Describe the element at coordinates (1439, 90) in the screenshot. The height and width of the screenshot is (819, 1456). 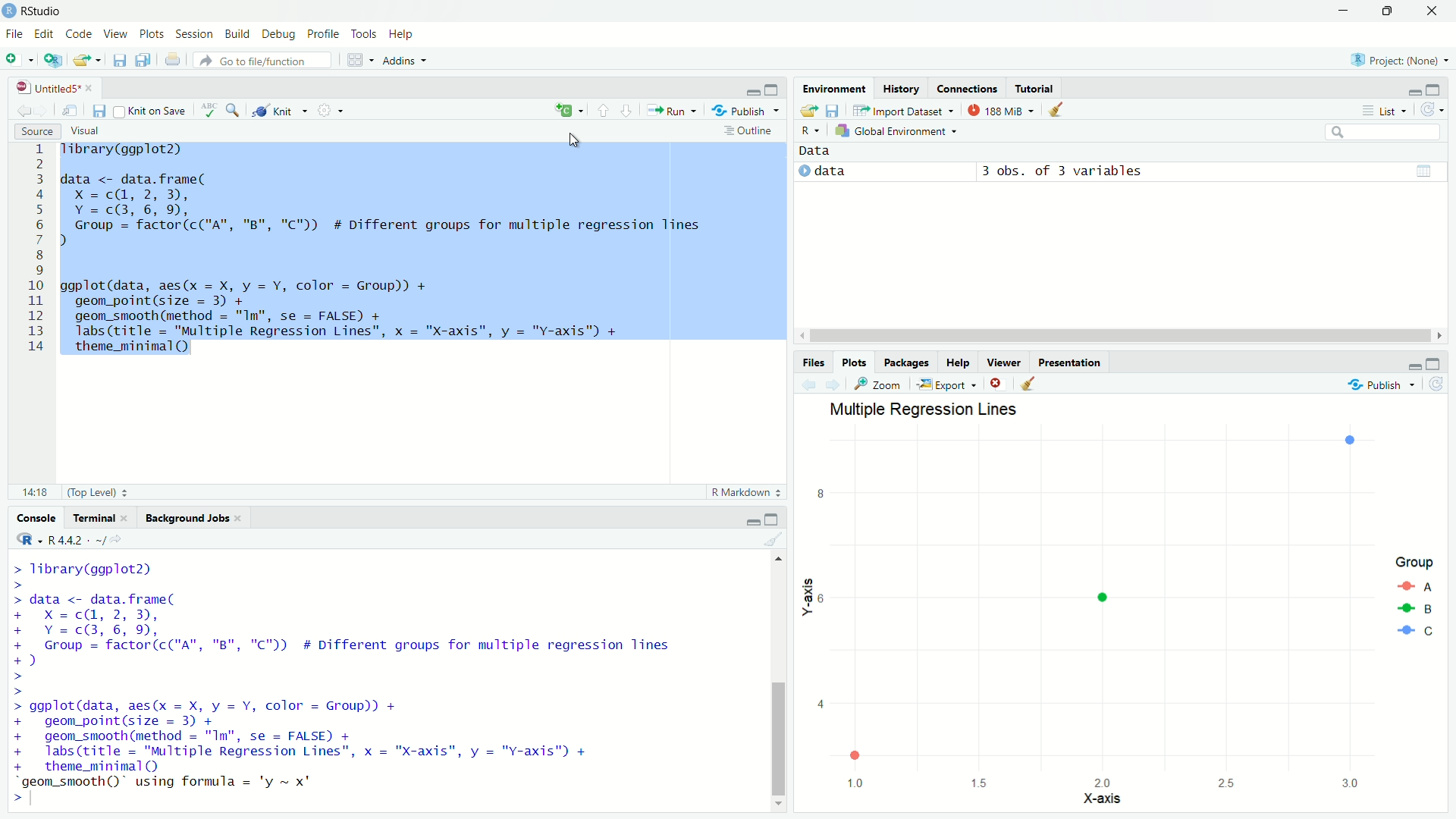
I see `maximise` at that location.